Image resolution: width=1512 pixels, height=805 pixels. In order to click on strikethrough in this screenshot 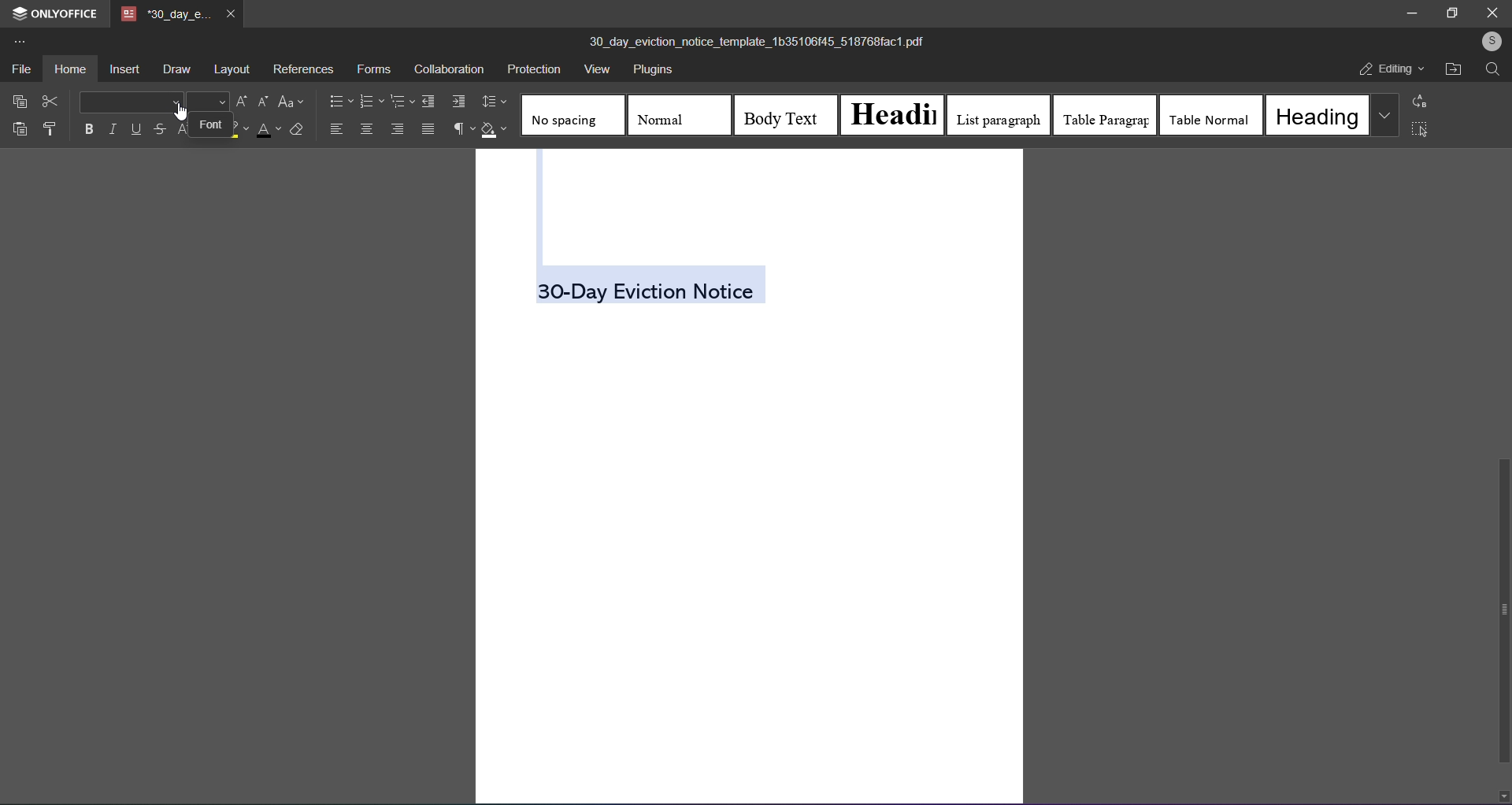, I will do `click(161, 130)`.